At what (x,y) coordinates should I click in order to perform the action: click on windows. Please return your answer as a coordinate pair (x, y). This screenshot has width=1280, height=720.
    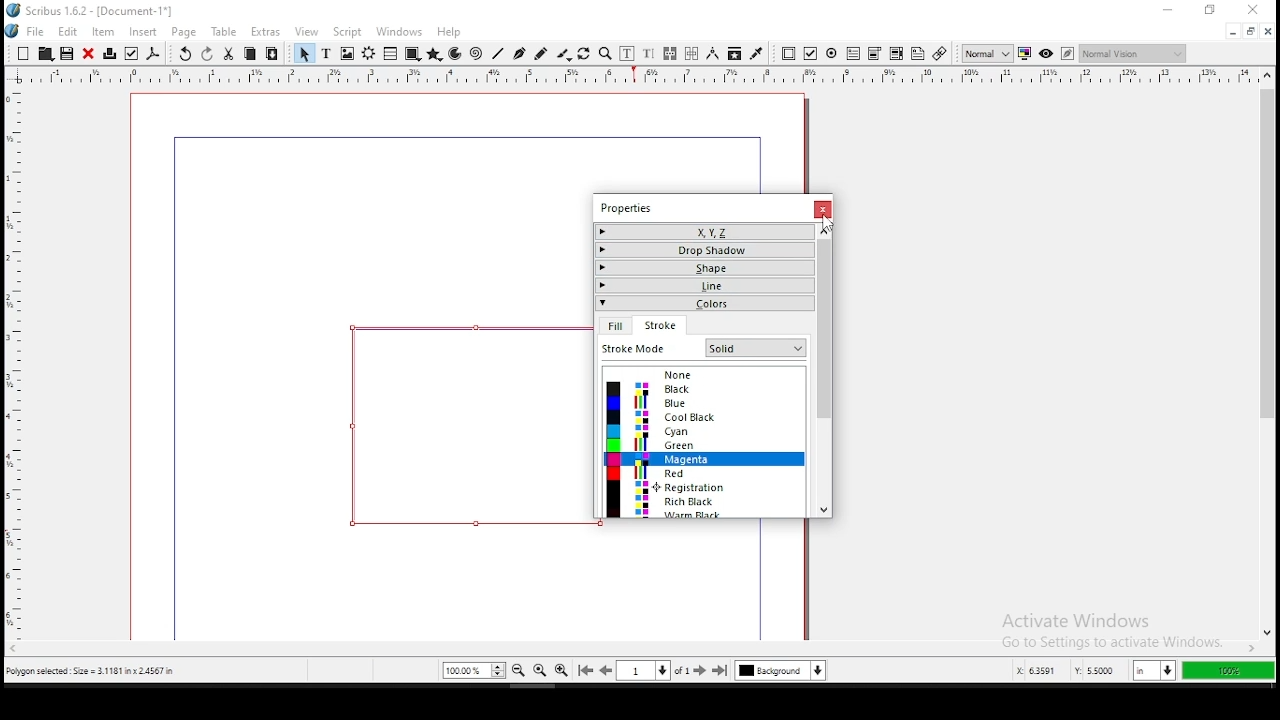
    Looking at the image, I should click on (399, 32).